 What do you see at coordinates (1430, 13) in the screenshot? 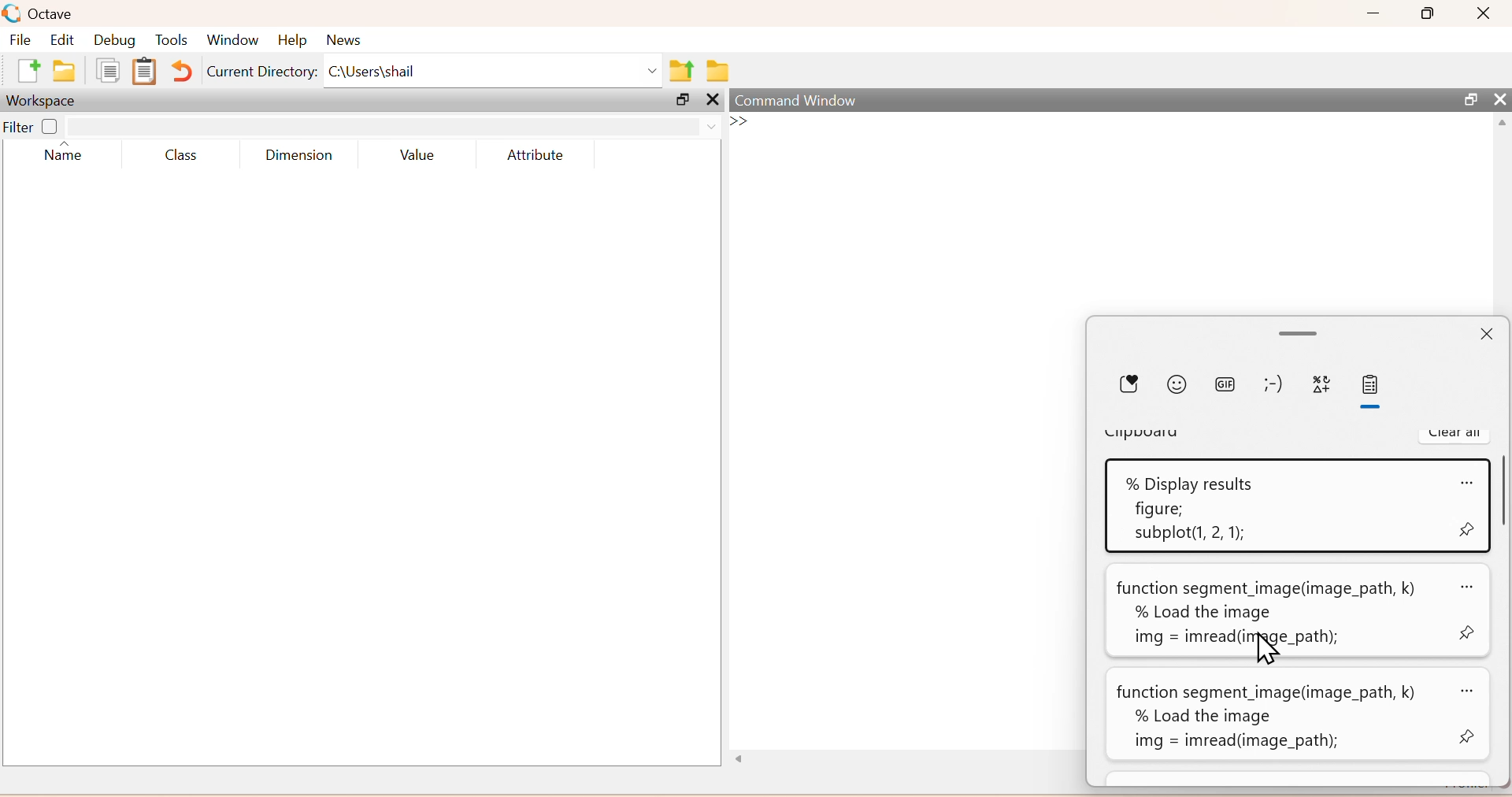
I see `Maximize` at bounding box center [1430, 13].